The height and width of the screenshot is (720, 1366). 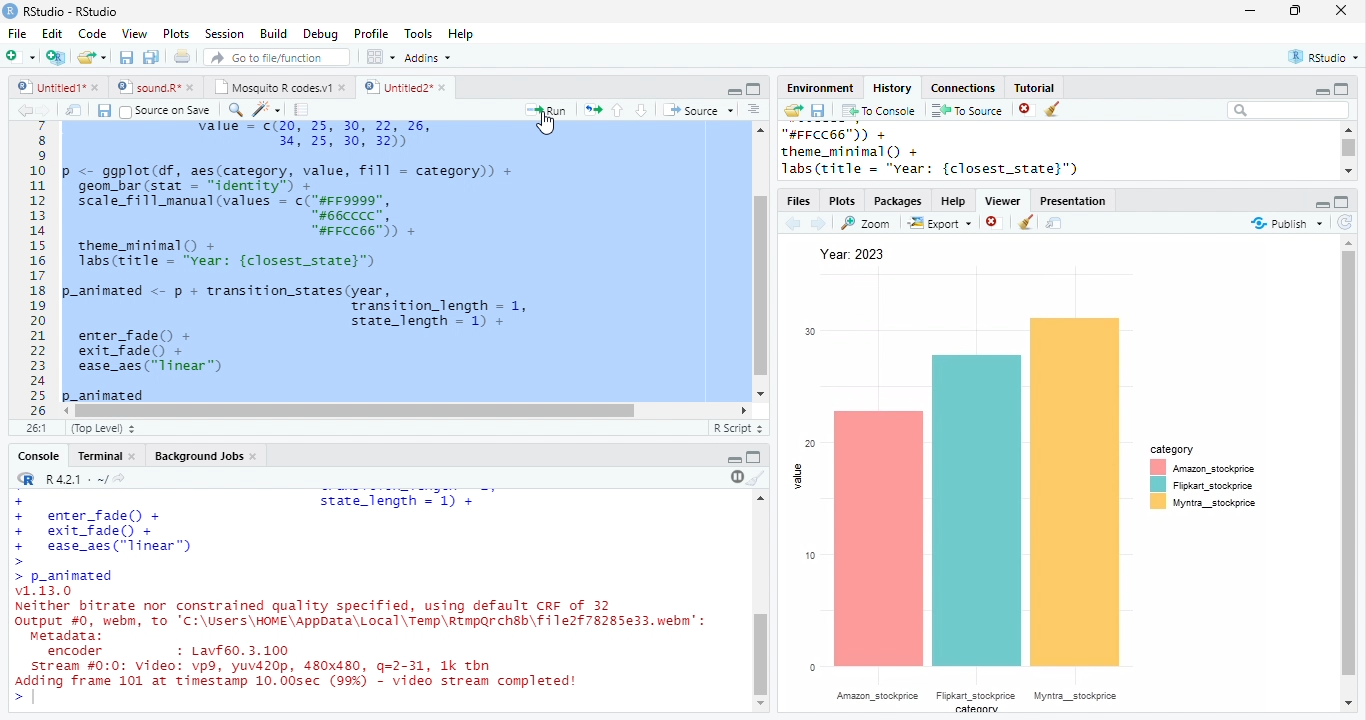 What do you see at coordinates (734, 460) in the screenshot?
I see `minimize` at bounding box center [734, 460].